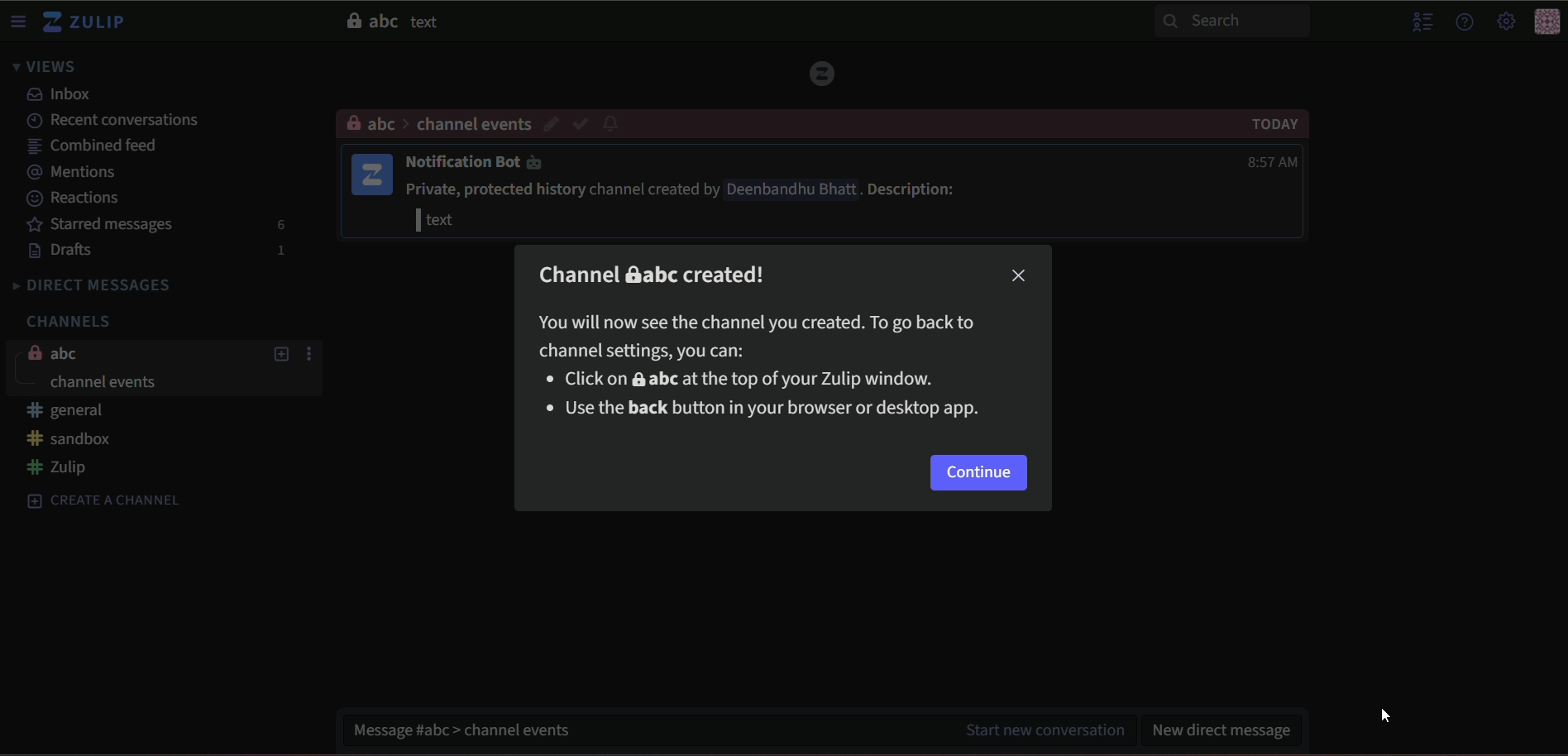 The image size is (1568, 756). Describe the element at coordinates (50, 68) in the screenshot. I see `views` at that location.